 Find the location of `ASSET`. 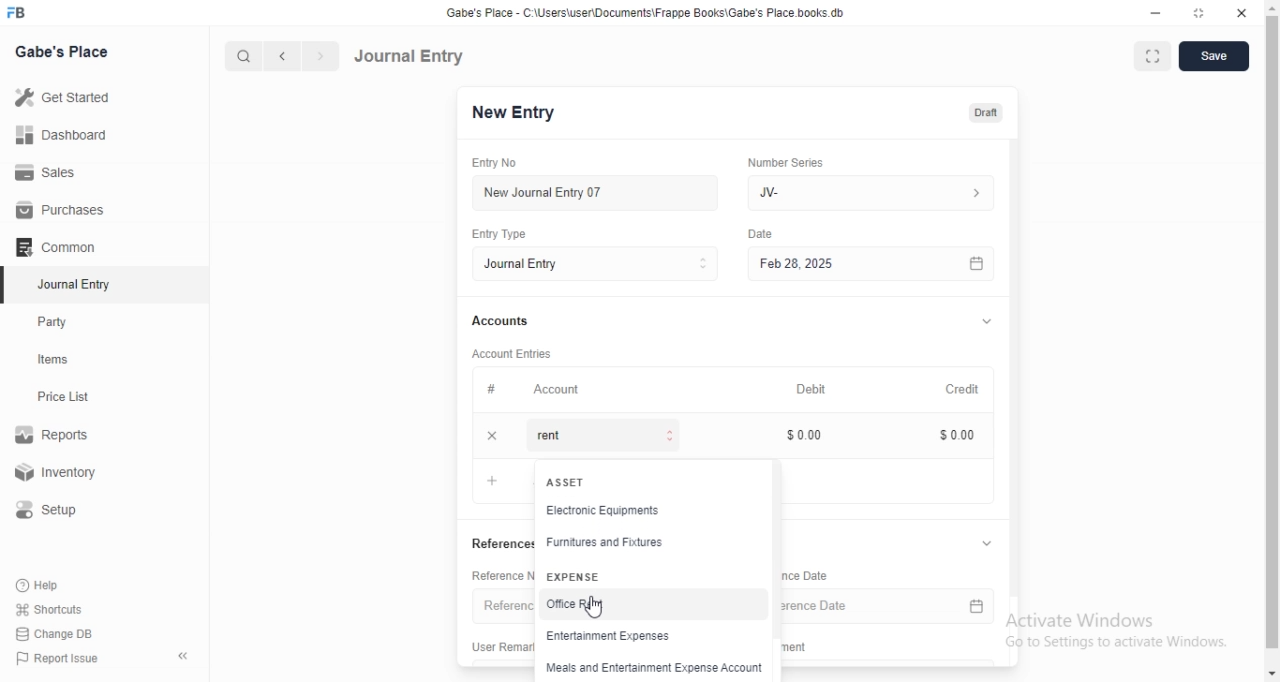

ASSET is located at coordinates (569, 482).